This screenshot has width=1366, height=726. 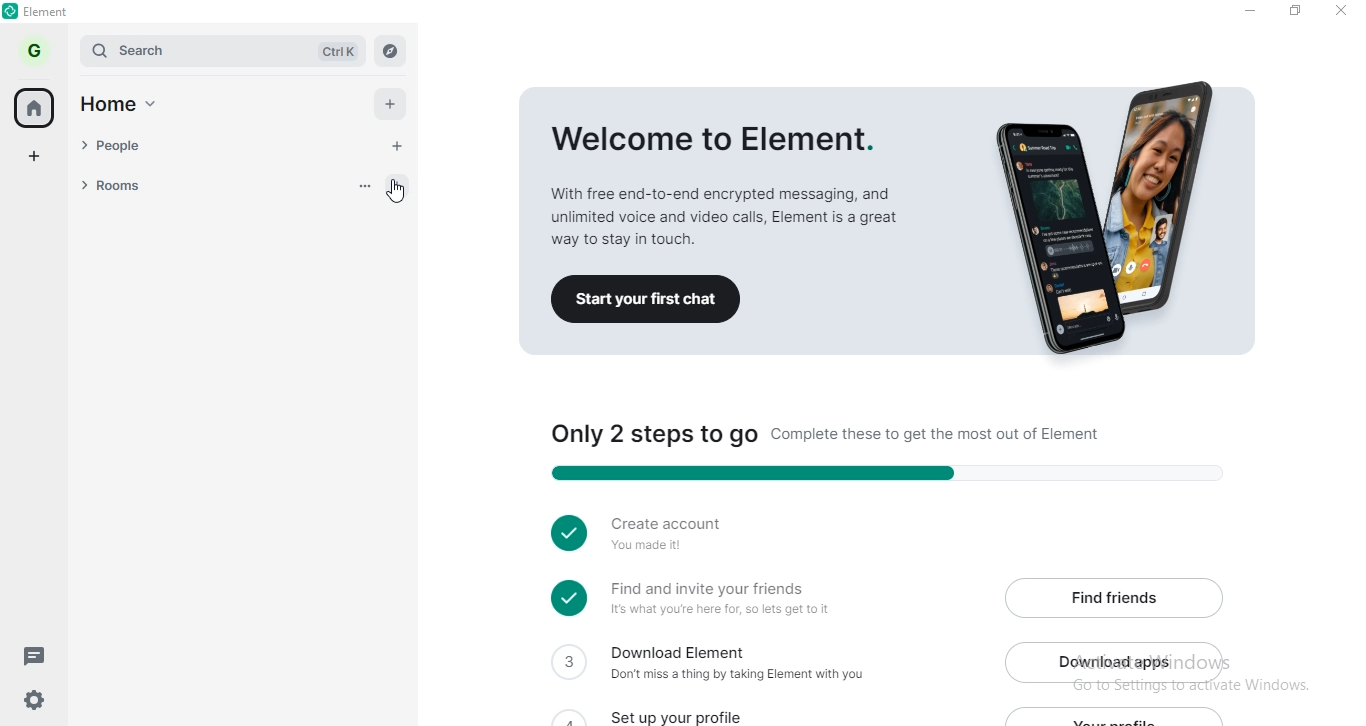 I want to click on home, so click(x=129, y=107).